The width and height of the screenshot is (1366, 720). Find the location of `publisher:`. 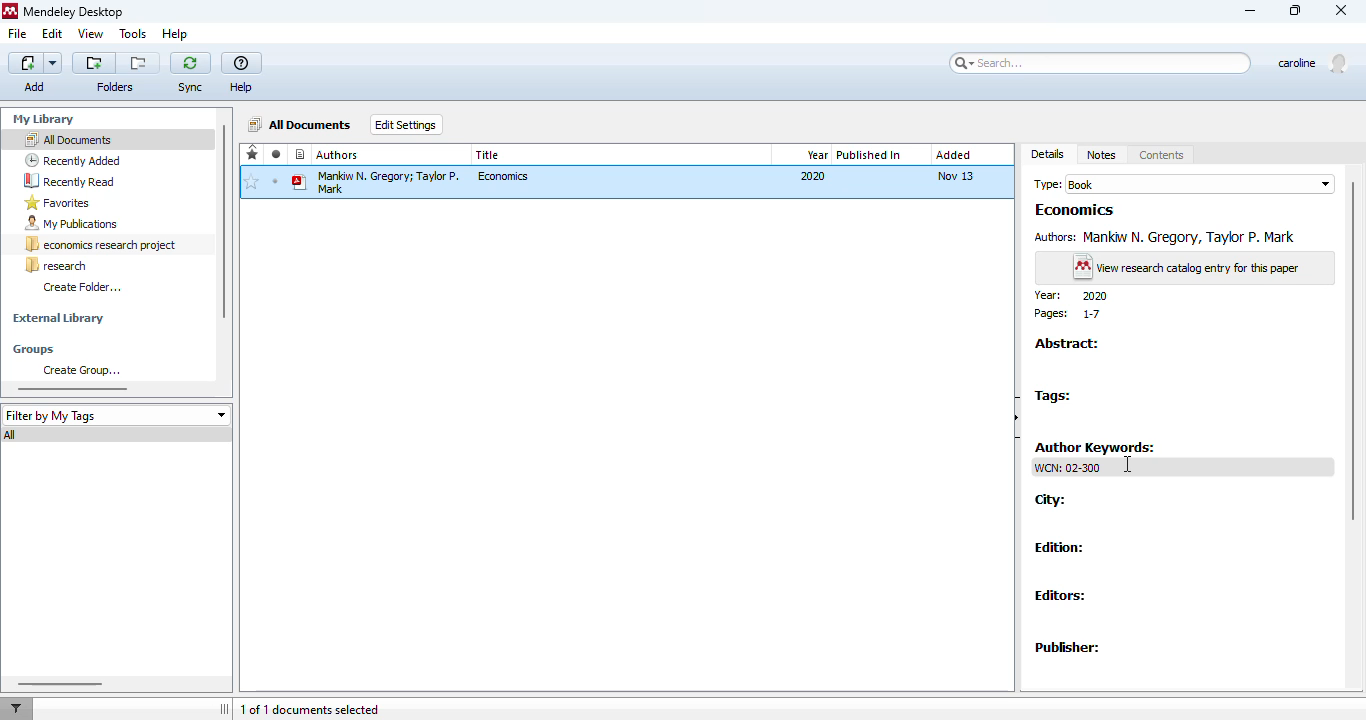

publisher: is located at coordinates (1068, 649).